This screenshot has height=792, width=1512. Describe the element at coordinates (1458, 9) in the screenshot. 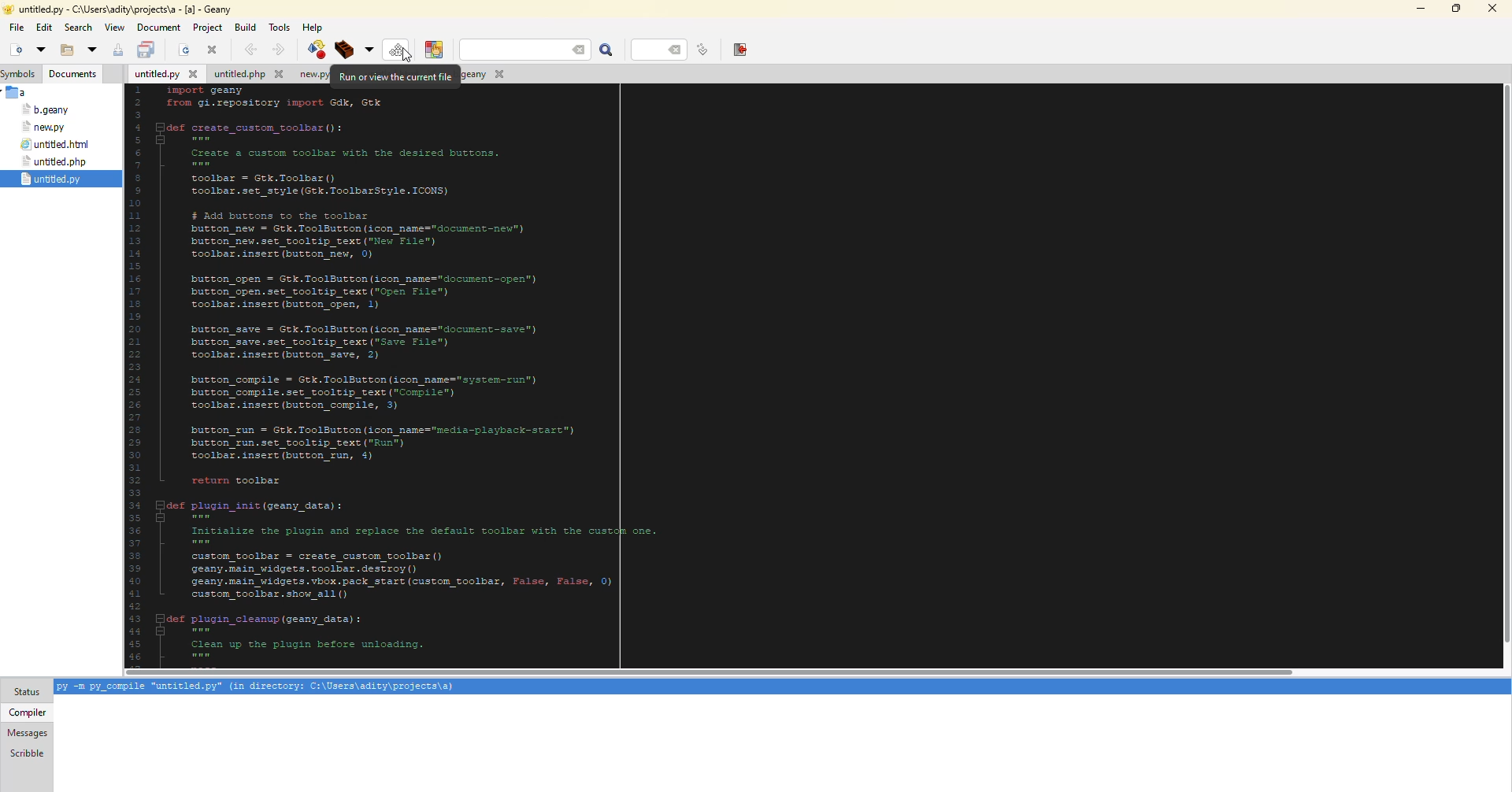

I see `maximize` at that location.